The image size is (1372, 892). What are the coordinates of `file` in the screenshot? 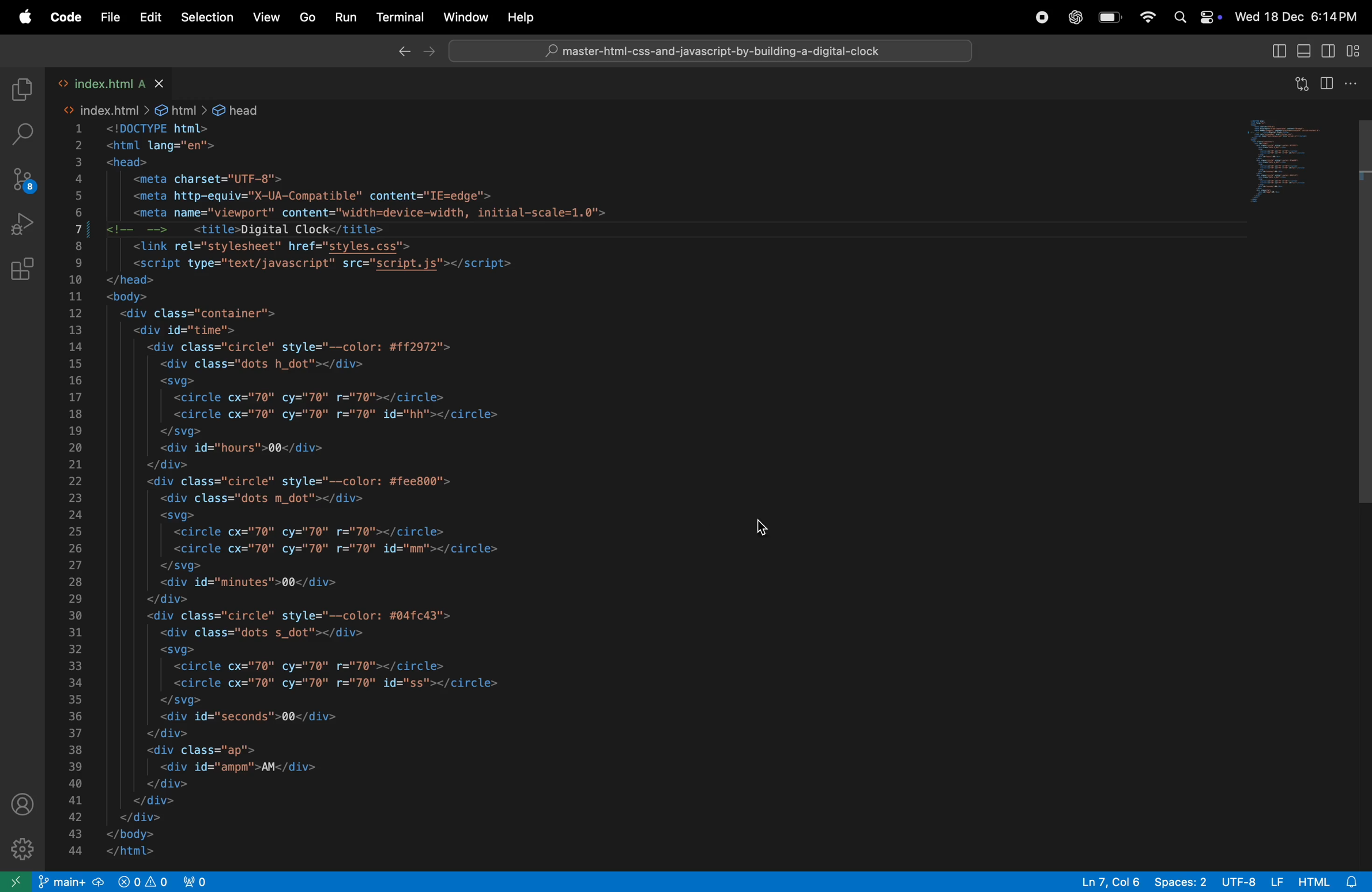 It's located at (704, 47).